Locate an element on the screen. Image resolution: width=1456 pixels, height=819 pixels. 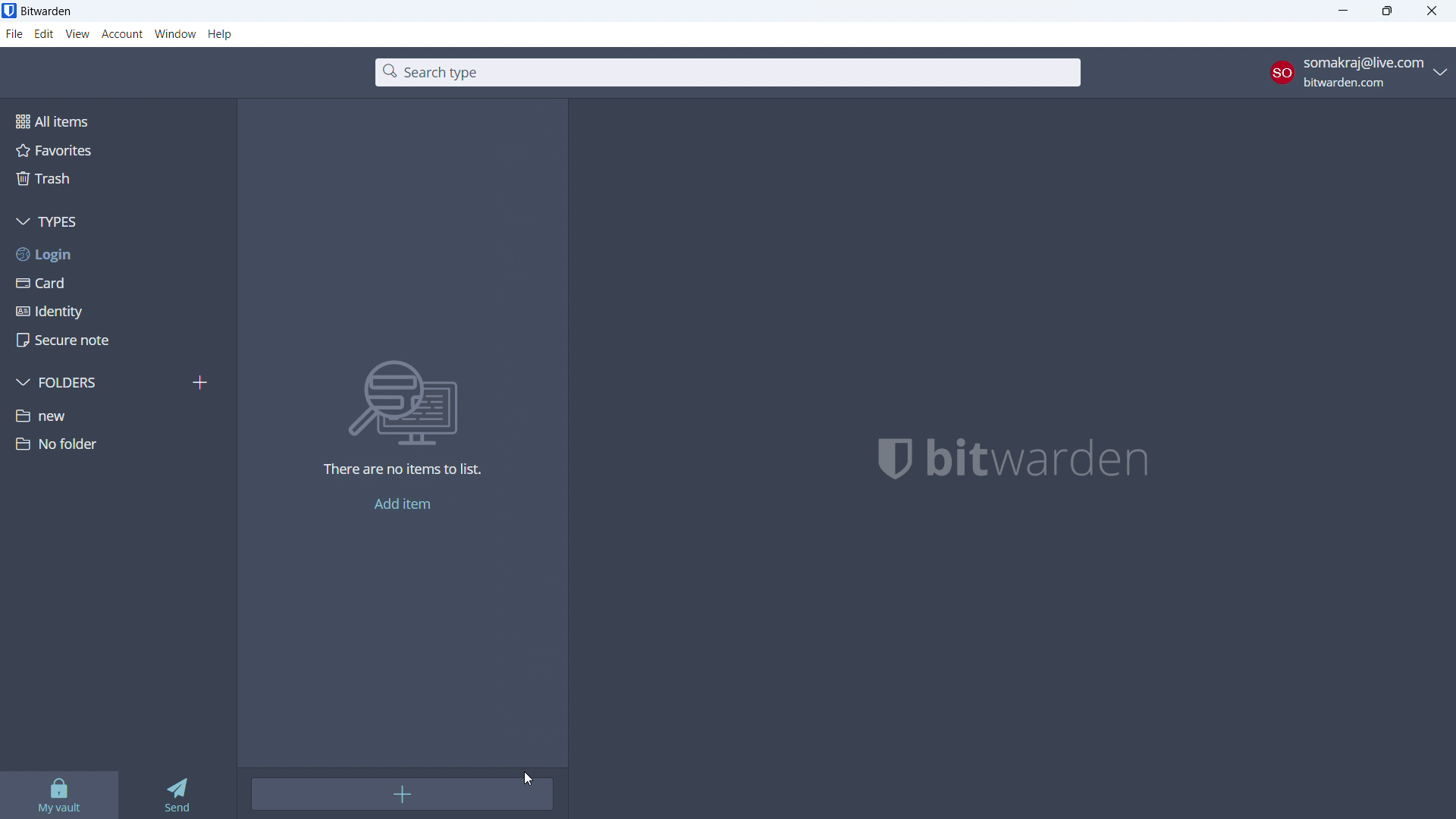
cursor is located at coordinates (529, 780).